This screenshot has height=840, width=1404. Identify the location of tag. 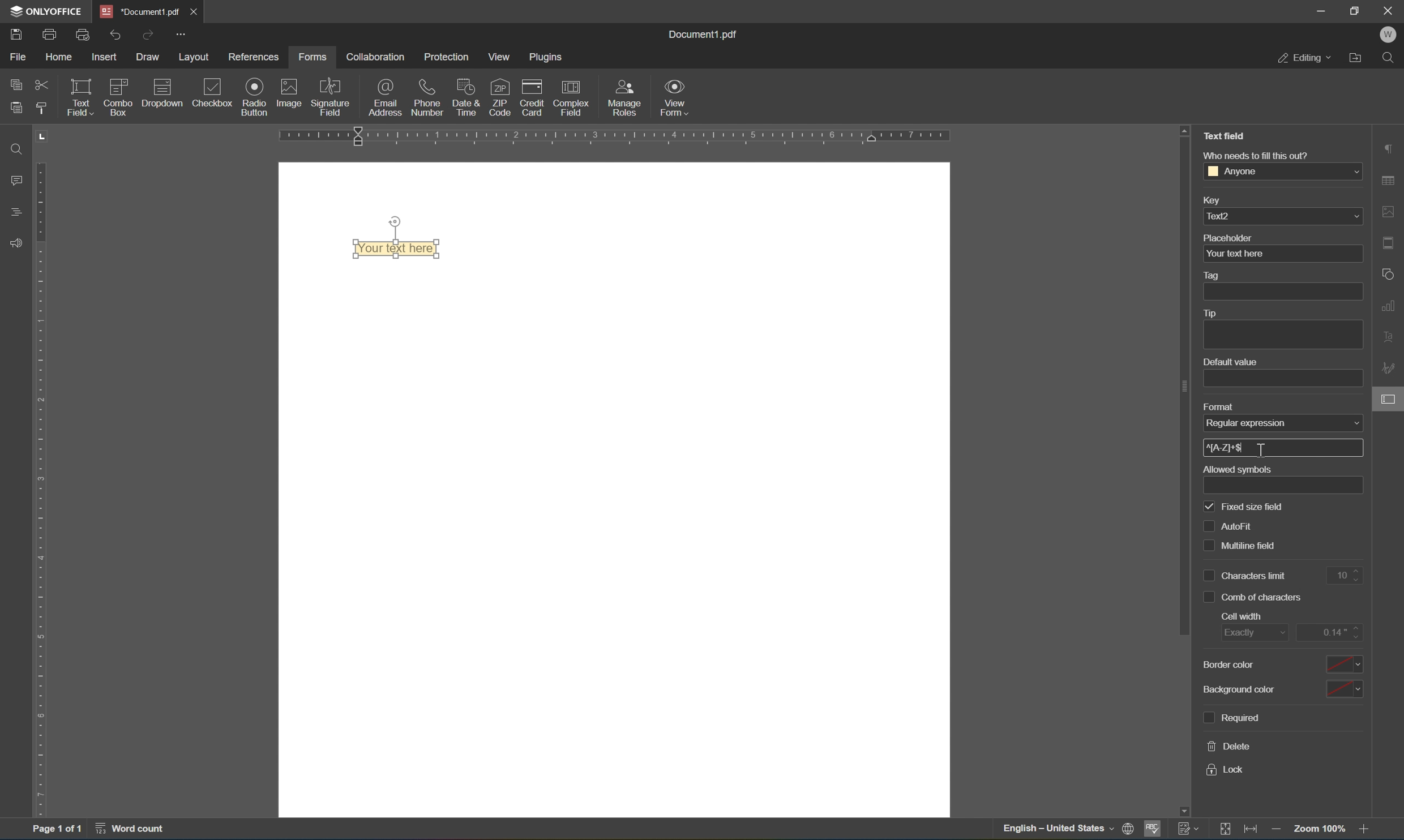
(1216, 274).